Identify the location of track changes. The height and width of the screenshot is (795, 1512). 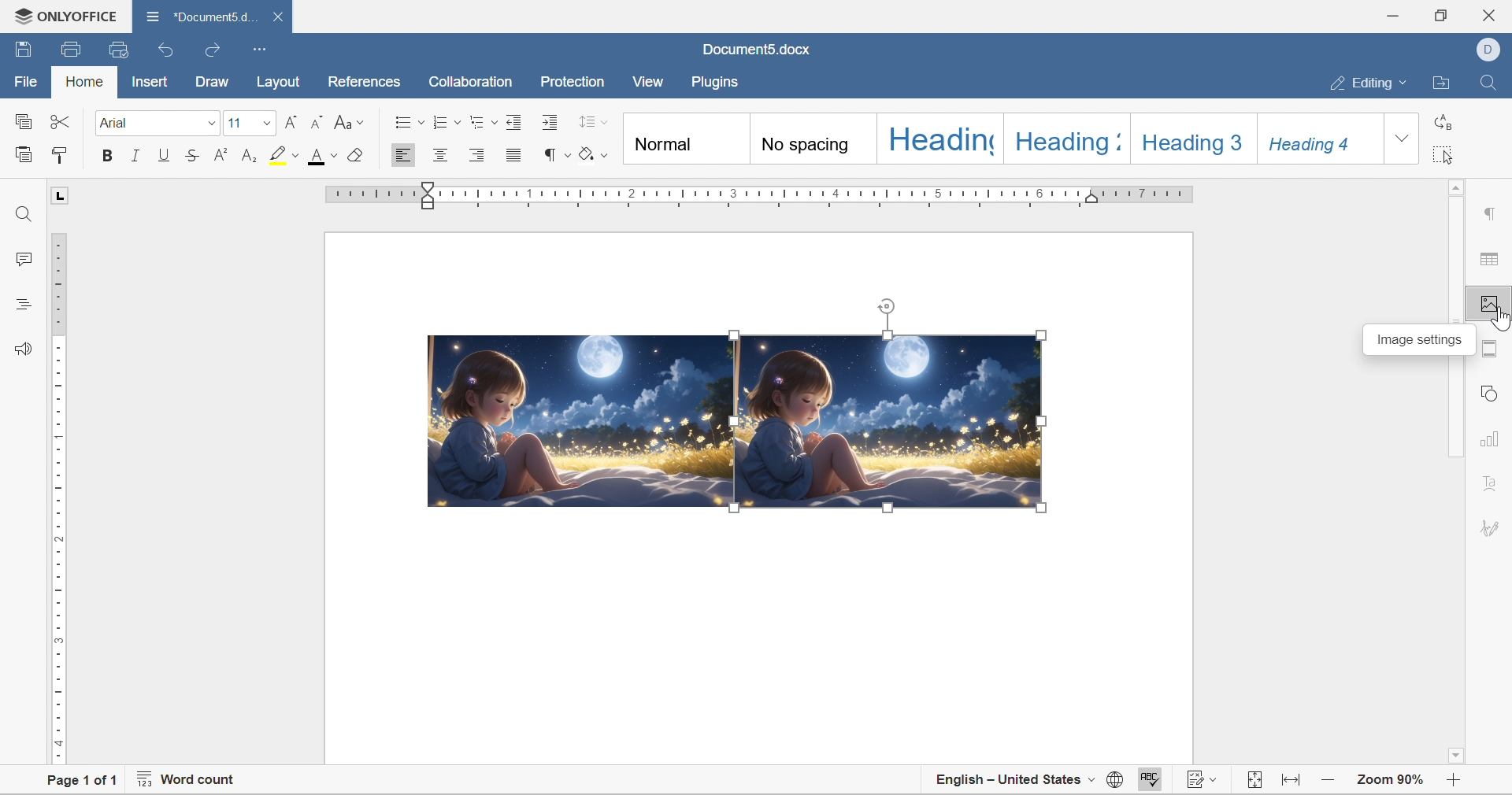
(1204, 775).